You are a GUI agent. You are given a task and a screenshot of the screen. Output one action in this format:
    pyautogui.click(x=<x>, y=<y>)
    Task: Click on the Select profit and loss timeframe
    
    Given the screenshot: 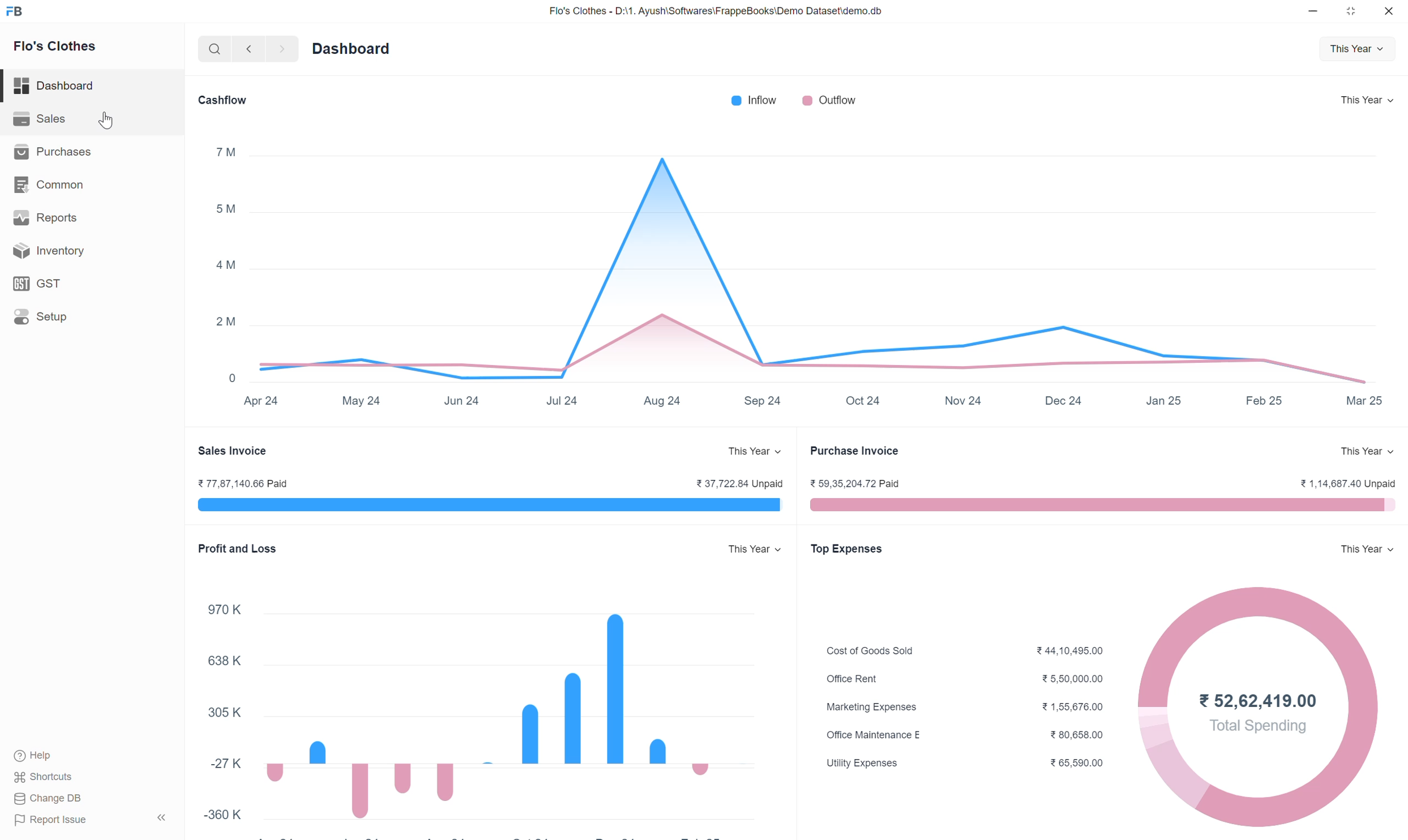 What is the action you would take?
    pyautogui.click(x=750, y=551)
    